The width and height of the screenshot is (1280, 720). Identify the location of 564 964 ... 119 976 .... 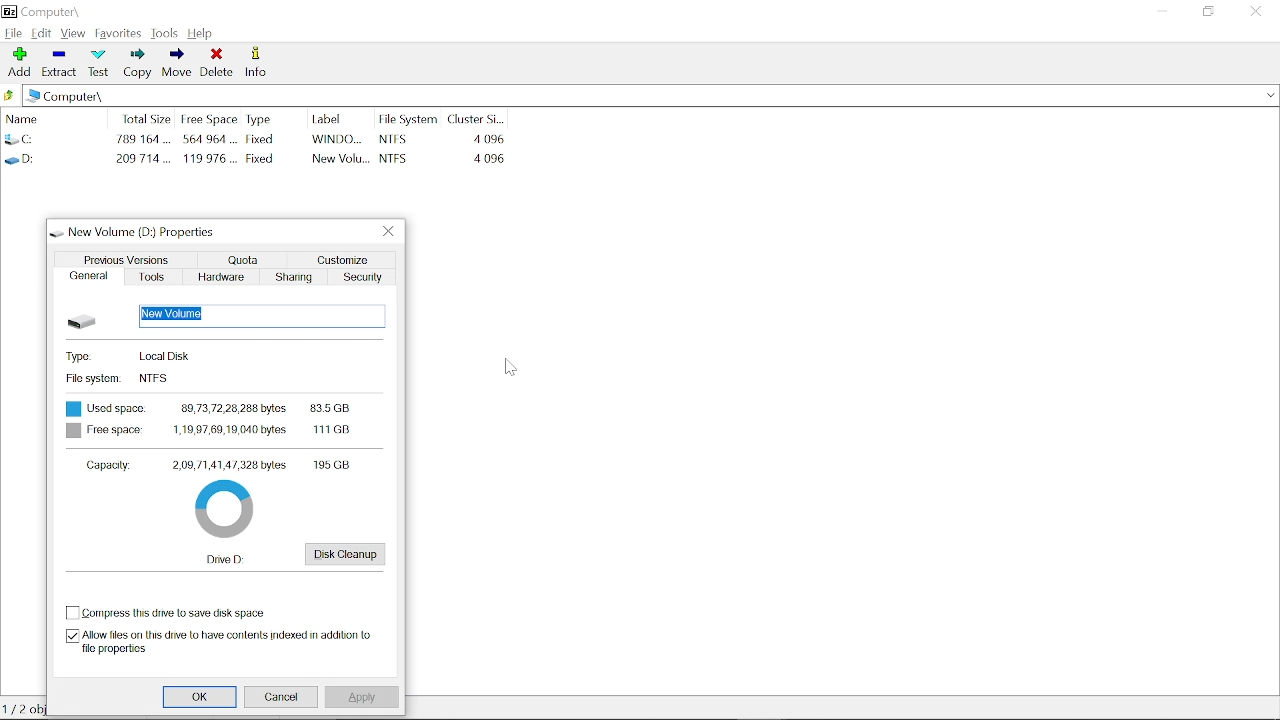
(209, 151).